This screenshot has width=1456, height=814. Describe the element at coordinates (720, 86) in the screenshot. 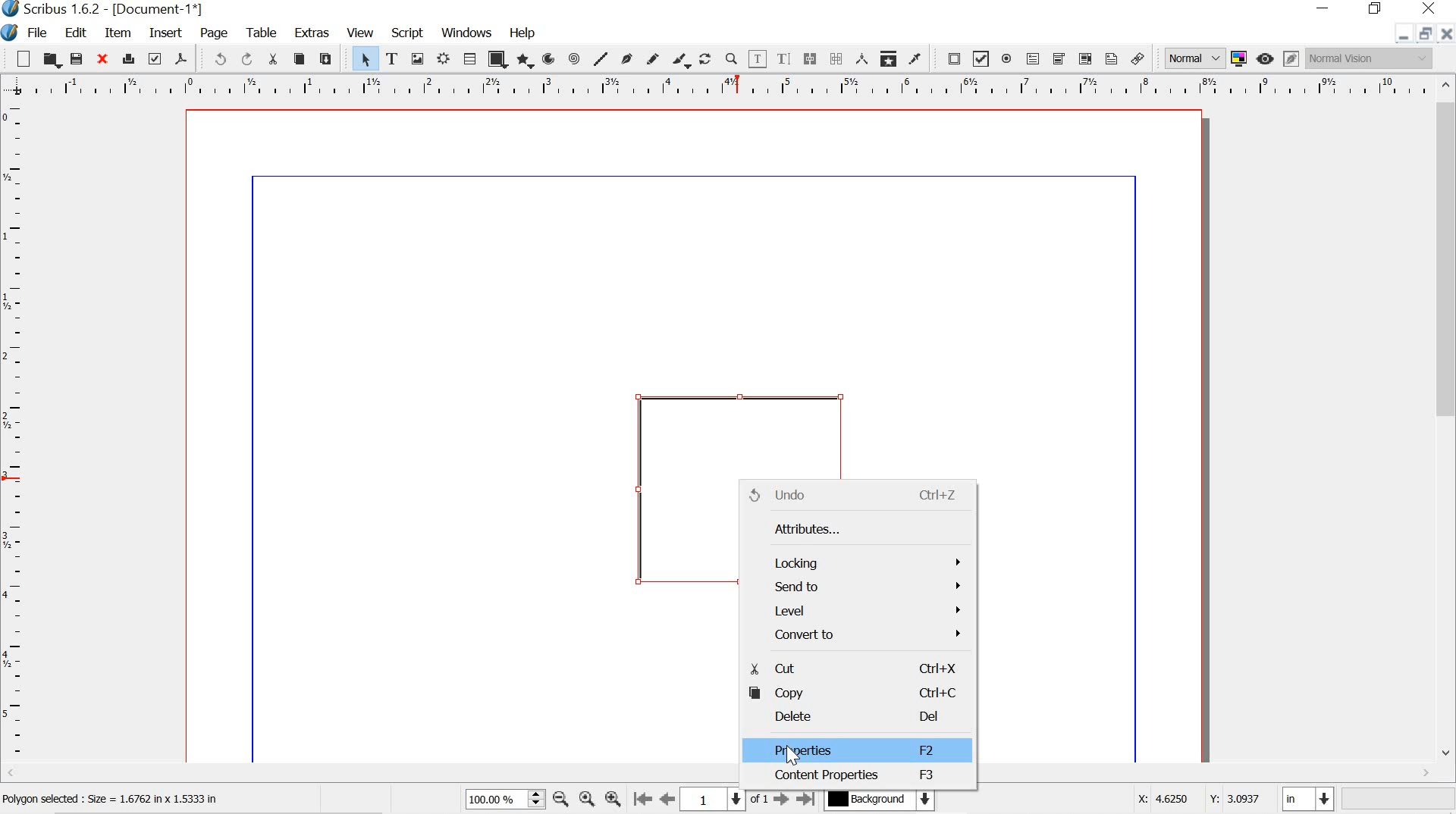

I see `ruler` at that location.